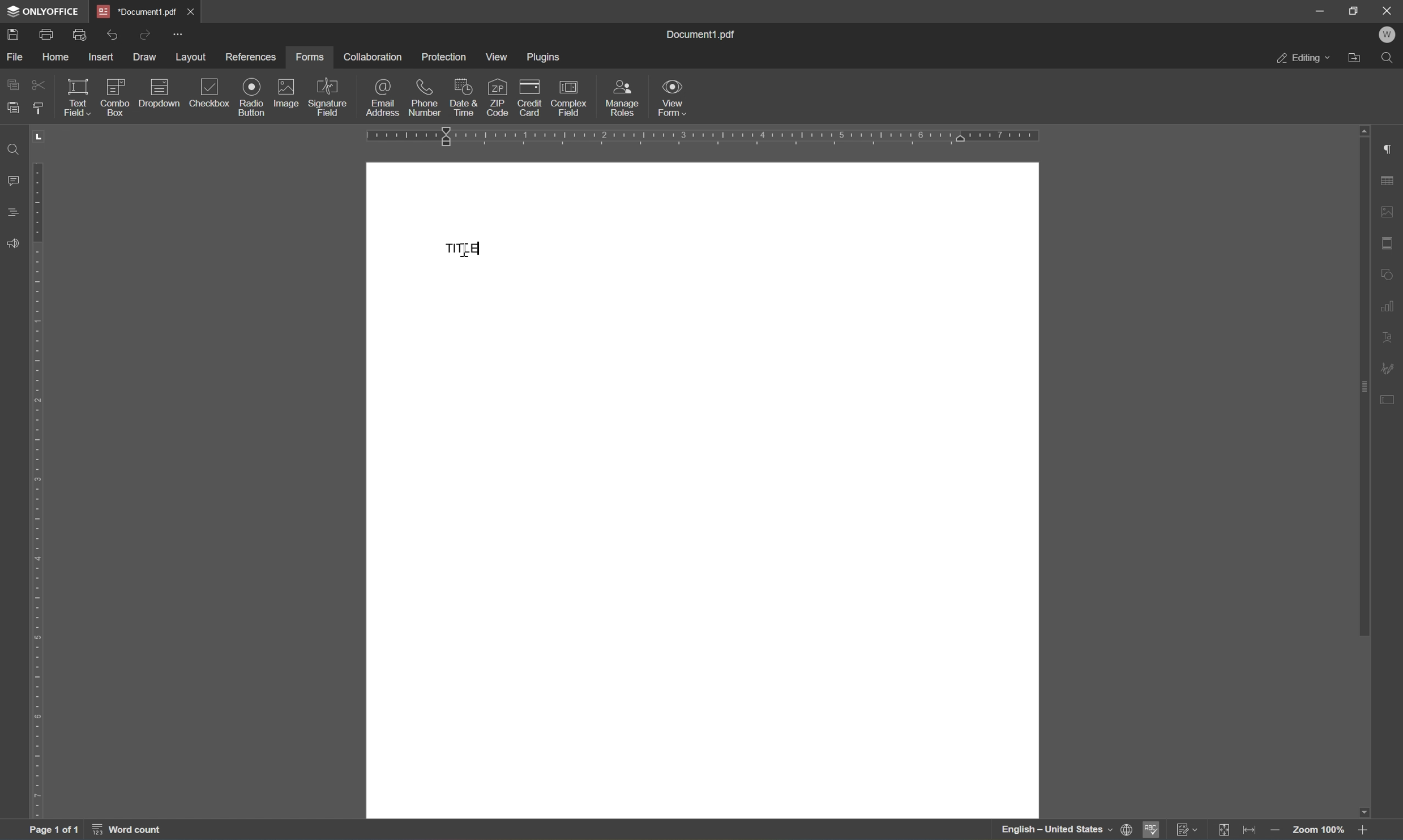 The image size is (1403, 840). Describe the element at coordinates (497, 96) in the screenshot. I see `zip code` at that location.